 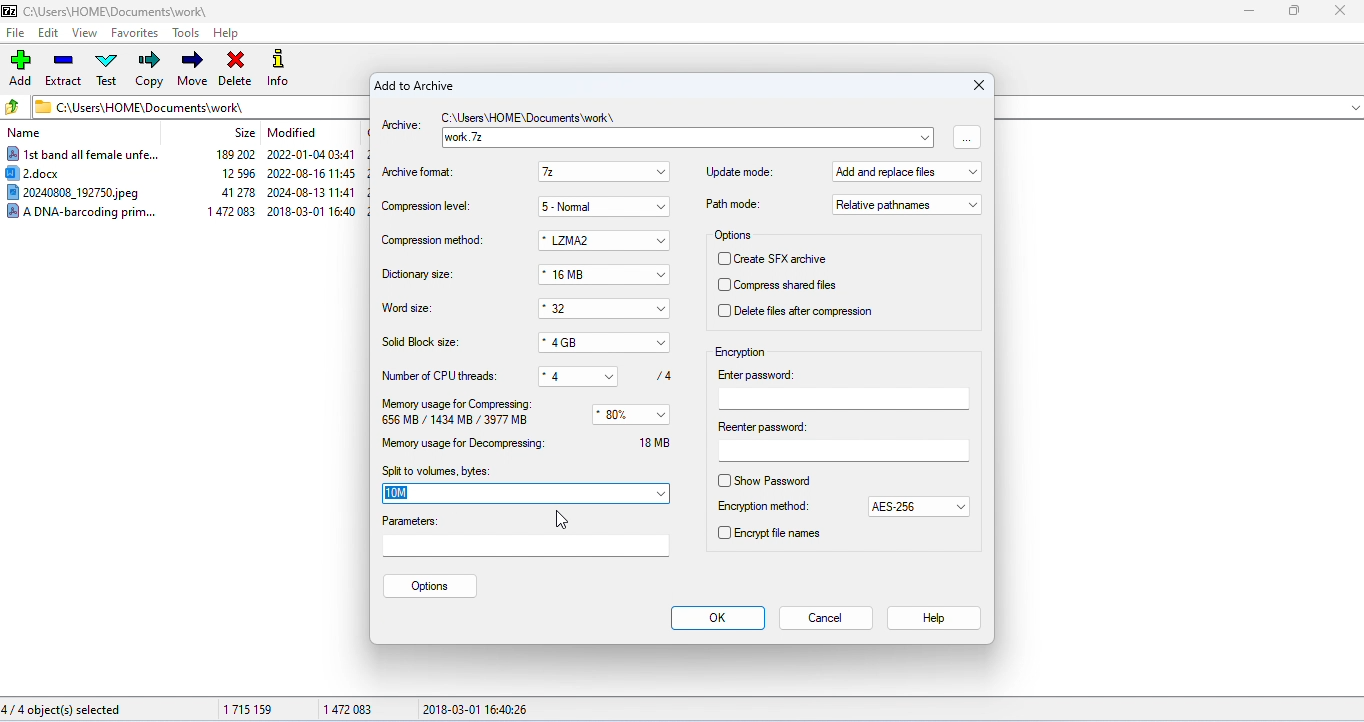 I want to click on /4, so click(x=660, y=375).